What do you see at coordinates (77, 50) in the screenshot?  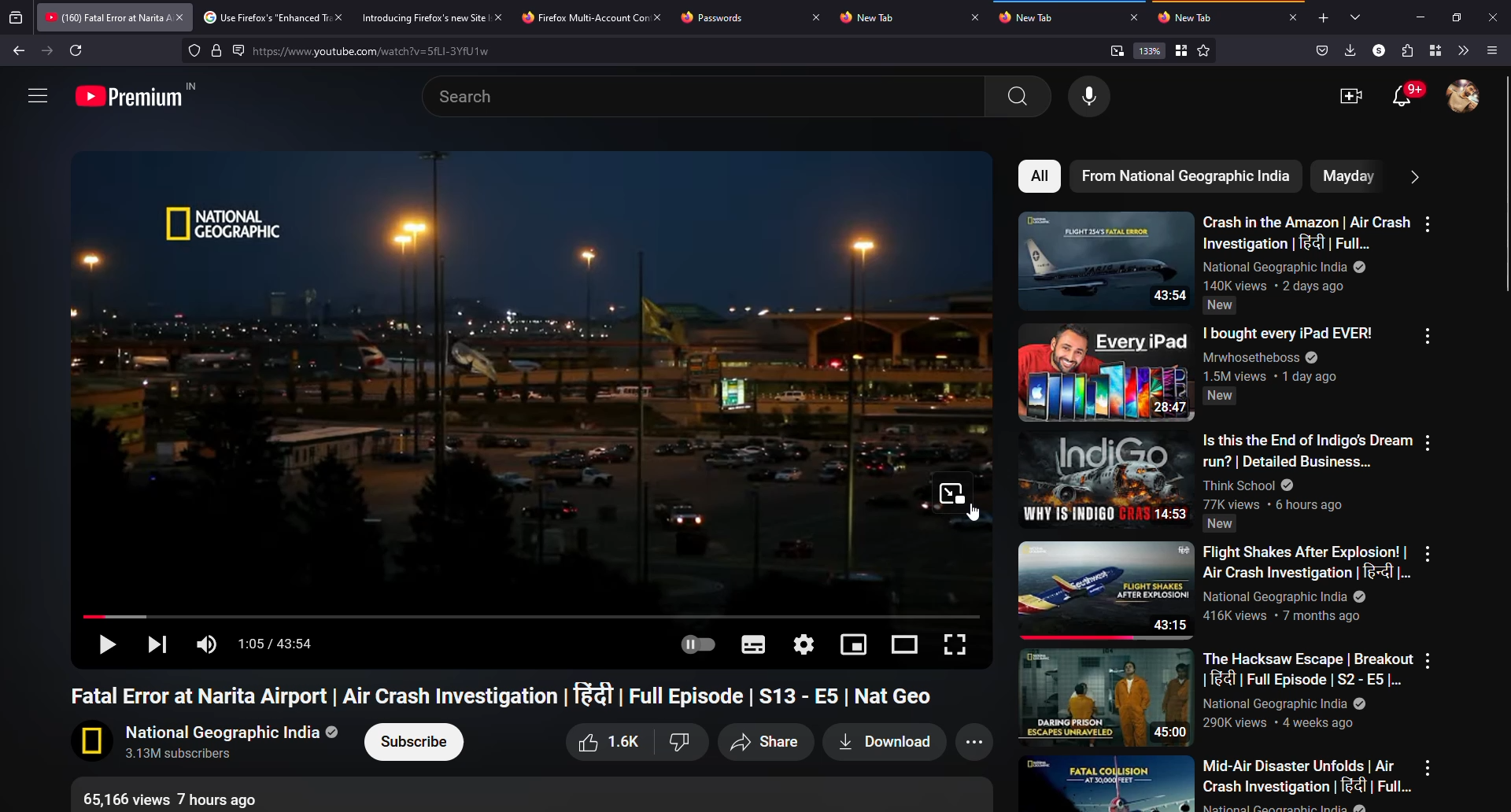 I see `refresh` at bounding box center [77, 50].